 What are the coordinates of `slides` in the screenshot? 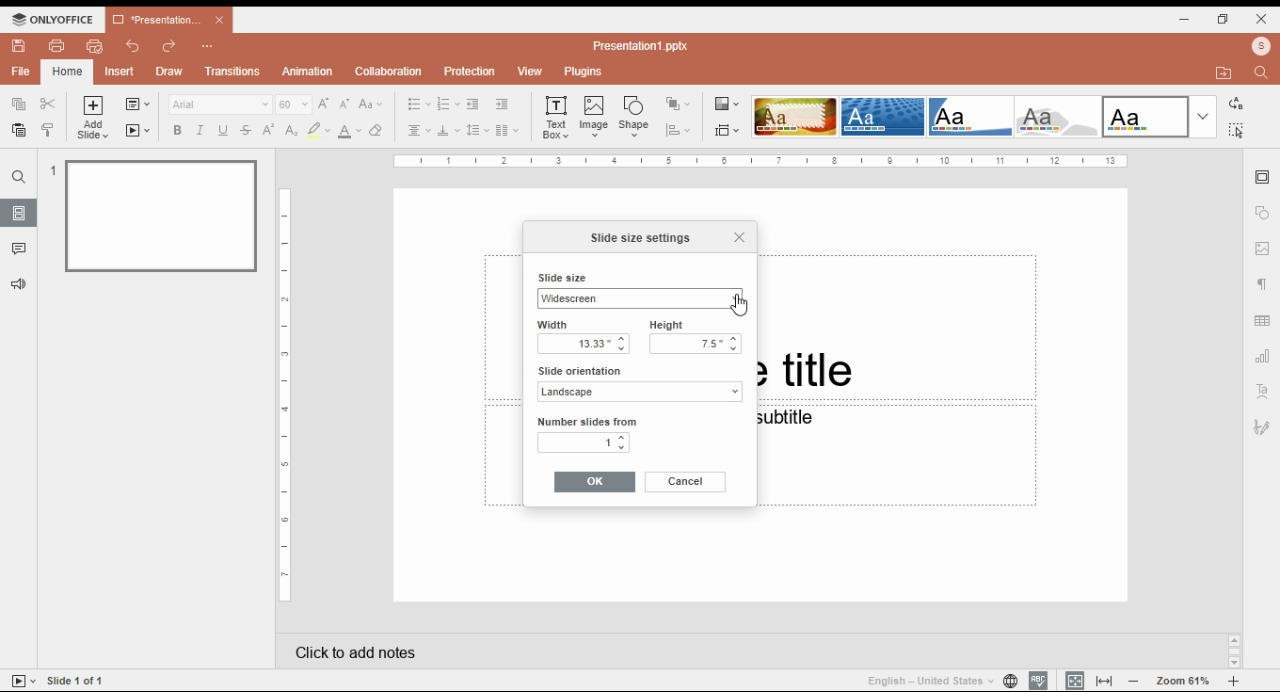 It's located at (19, 212).